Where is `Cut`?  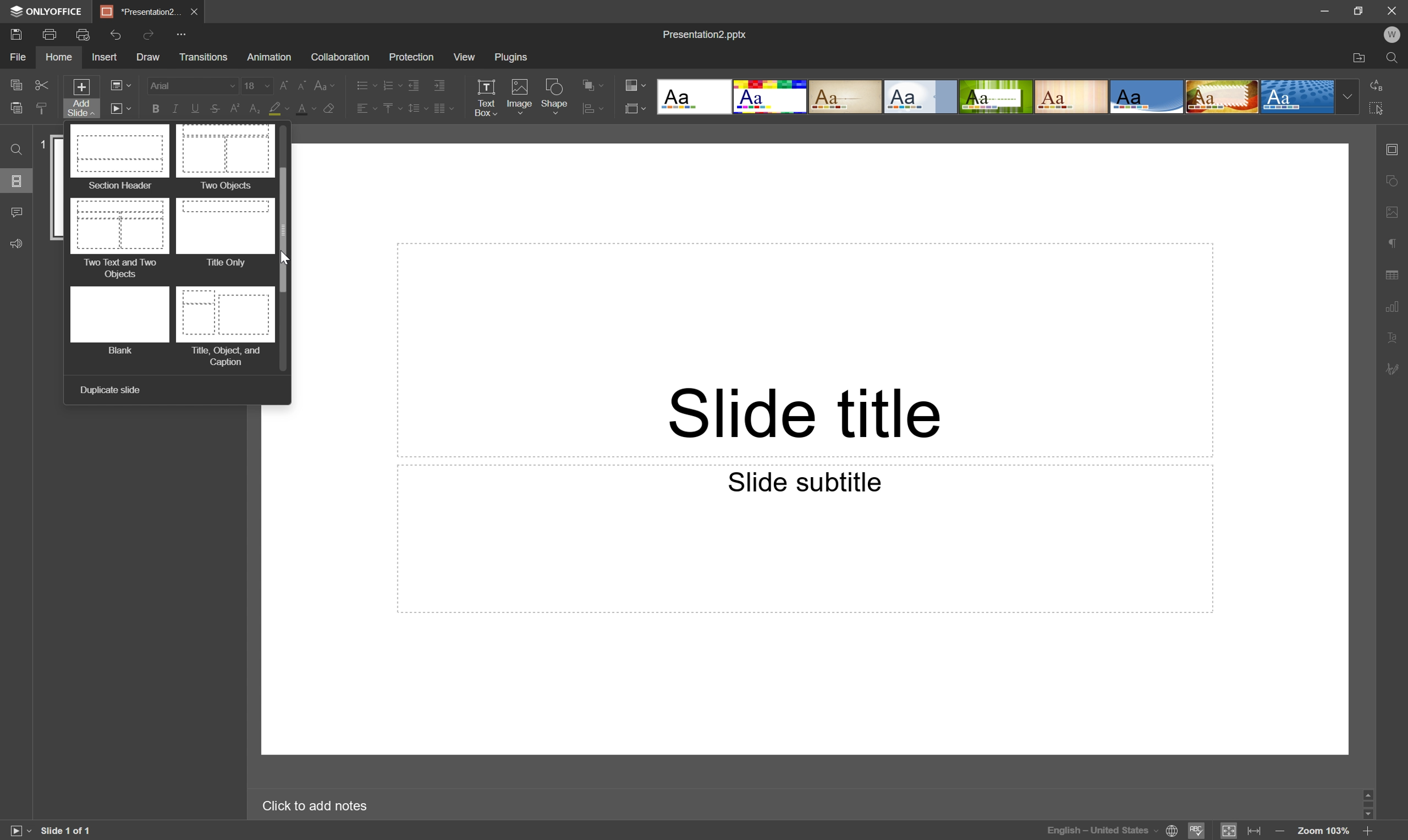
Cut is located at coordinates (42, 85).